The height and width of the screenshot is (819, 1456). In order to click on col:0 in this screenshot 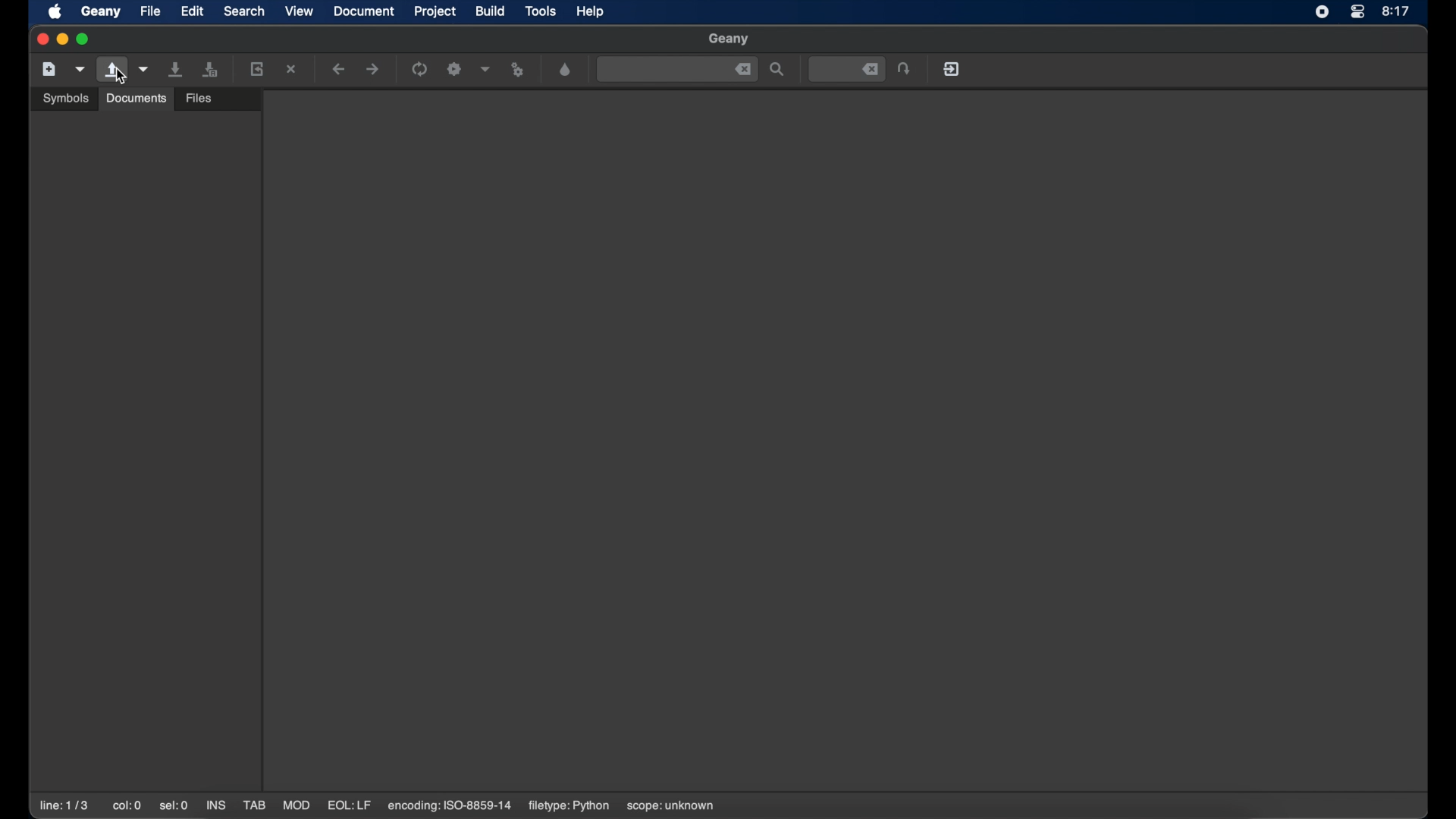, I will do `click(127, 805)`.